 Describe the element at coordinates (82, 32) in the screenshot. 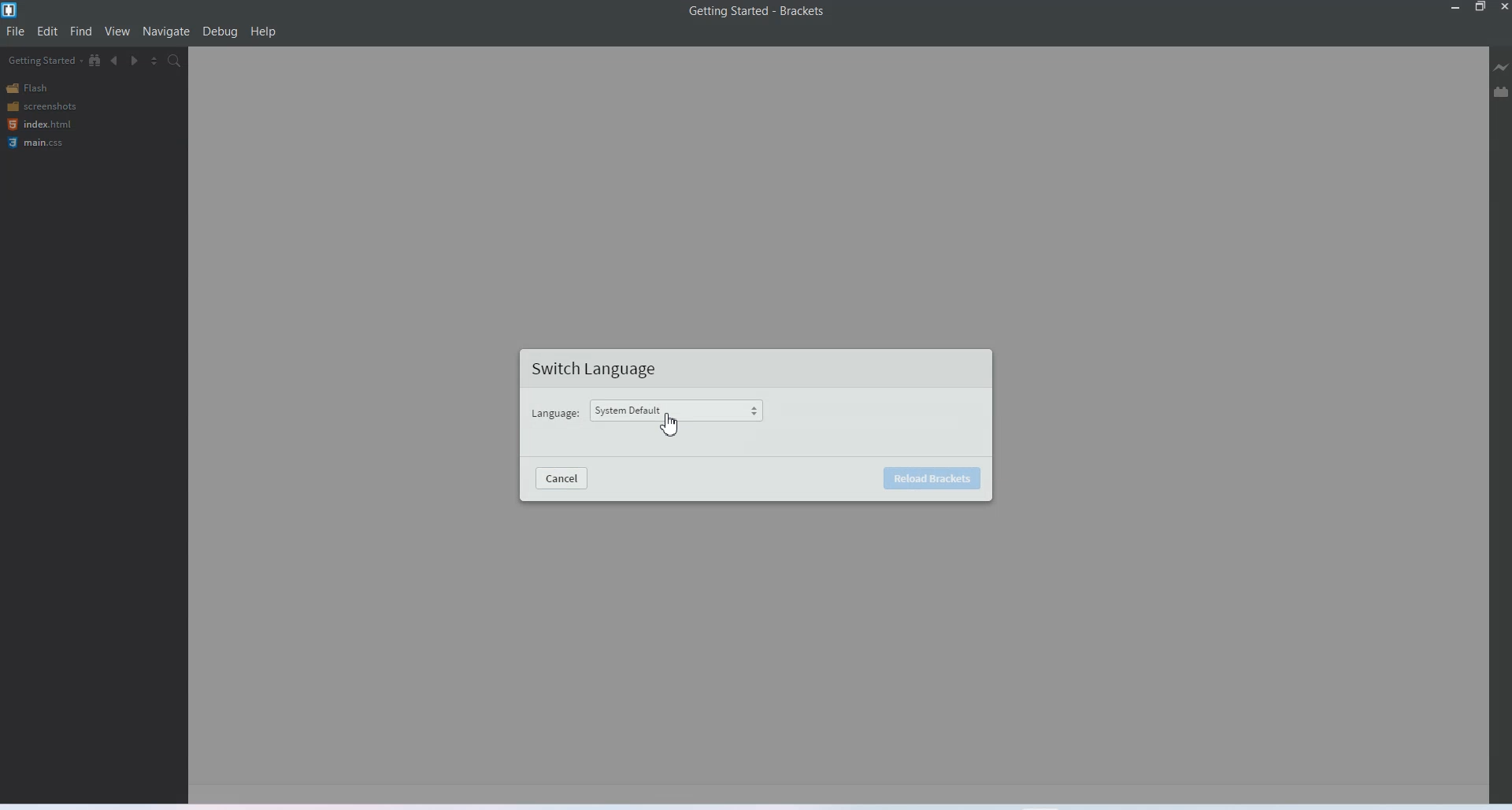

I see `Find` at that location.